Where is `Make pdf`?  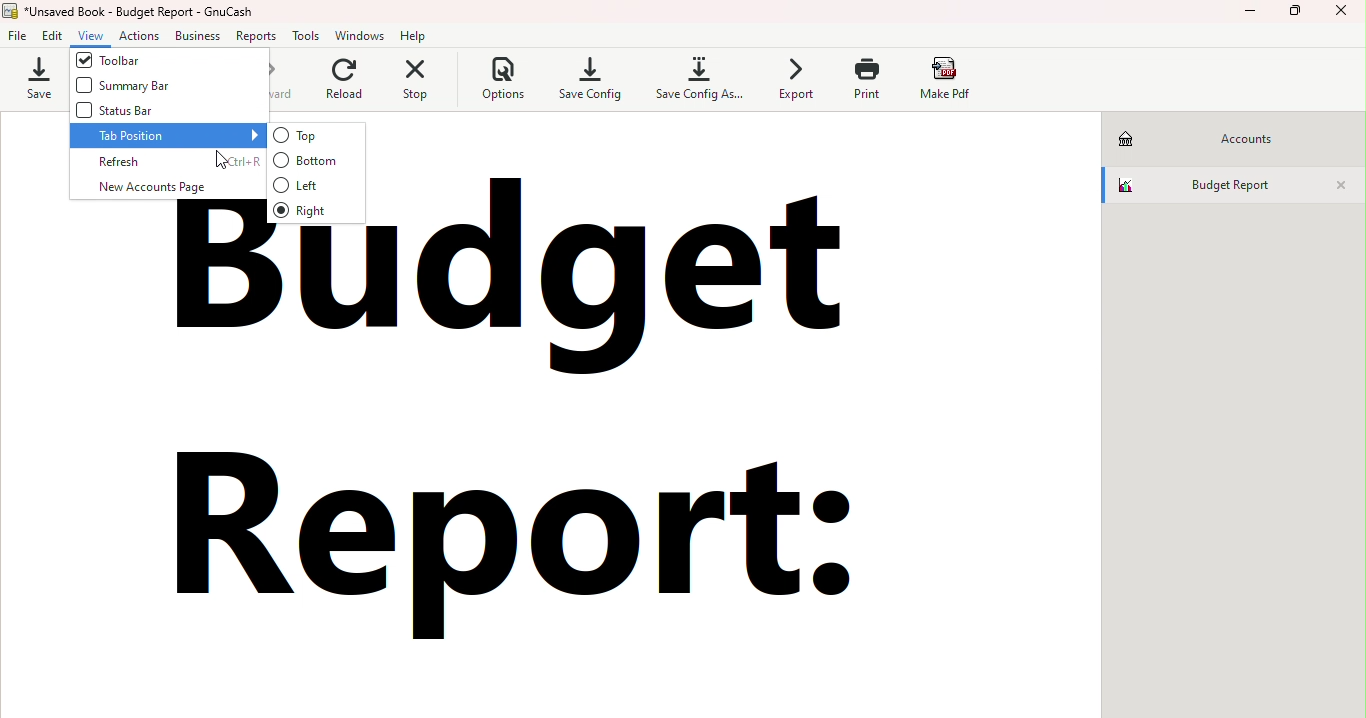 Make pdf is located at coordinates (945, 80).